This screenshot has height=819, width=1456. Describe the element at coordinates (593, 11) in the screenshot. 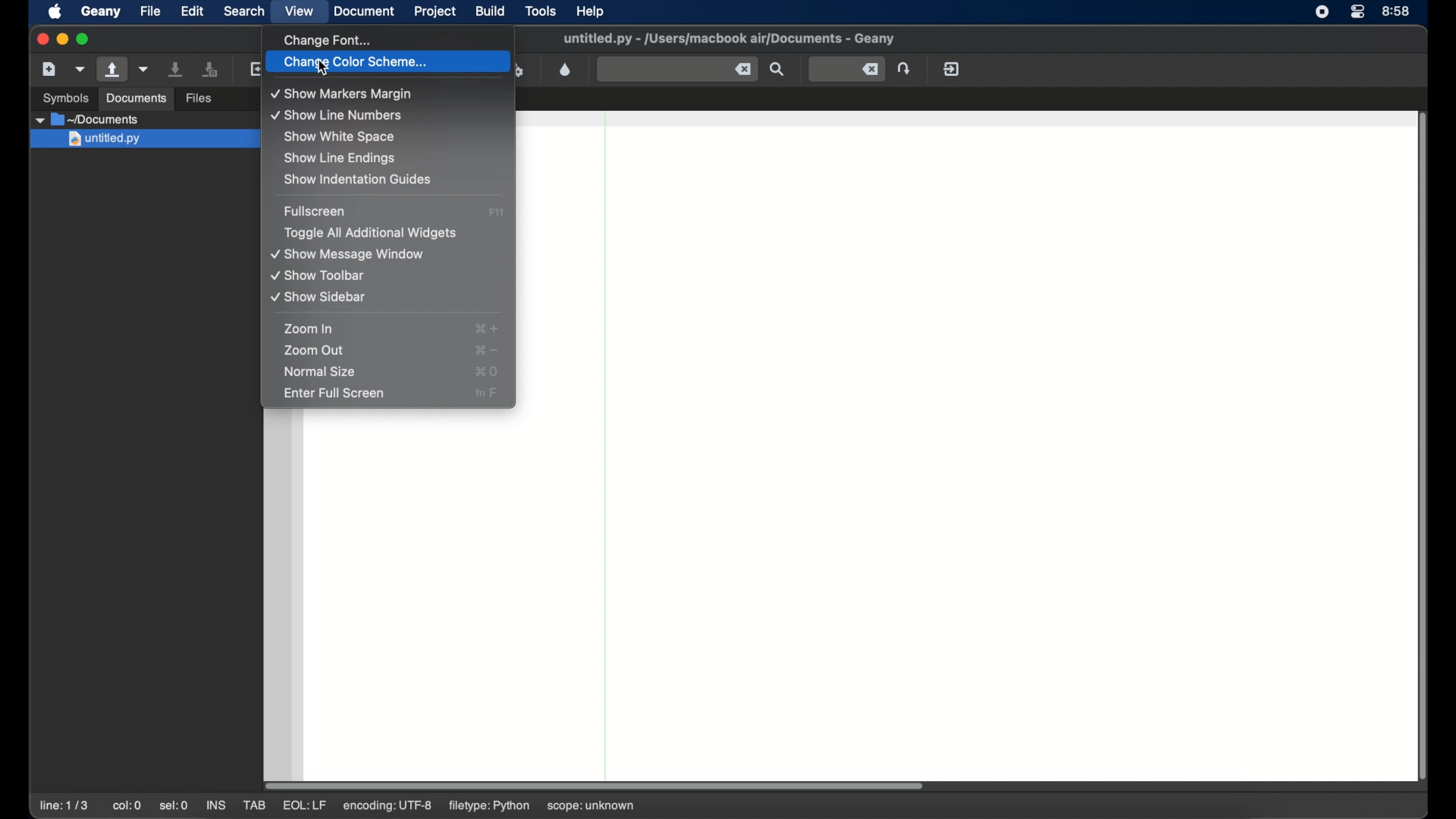

I see `help` at that location.